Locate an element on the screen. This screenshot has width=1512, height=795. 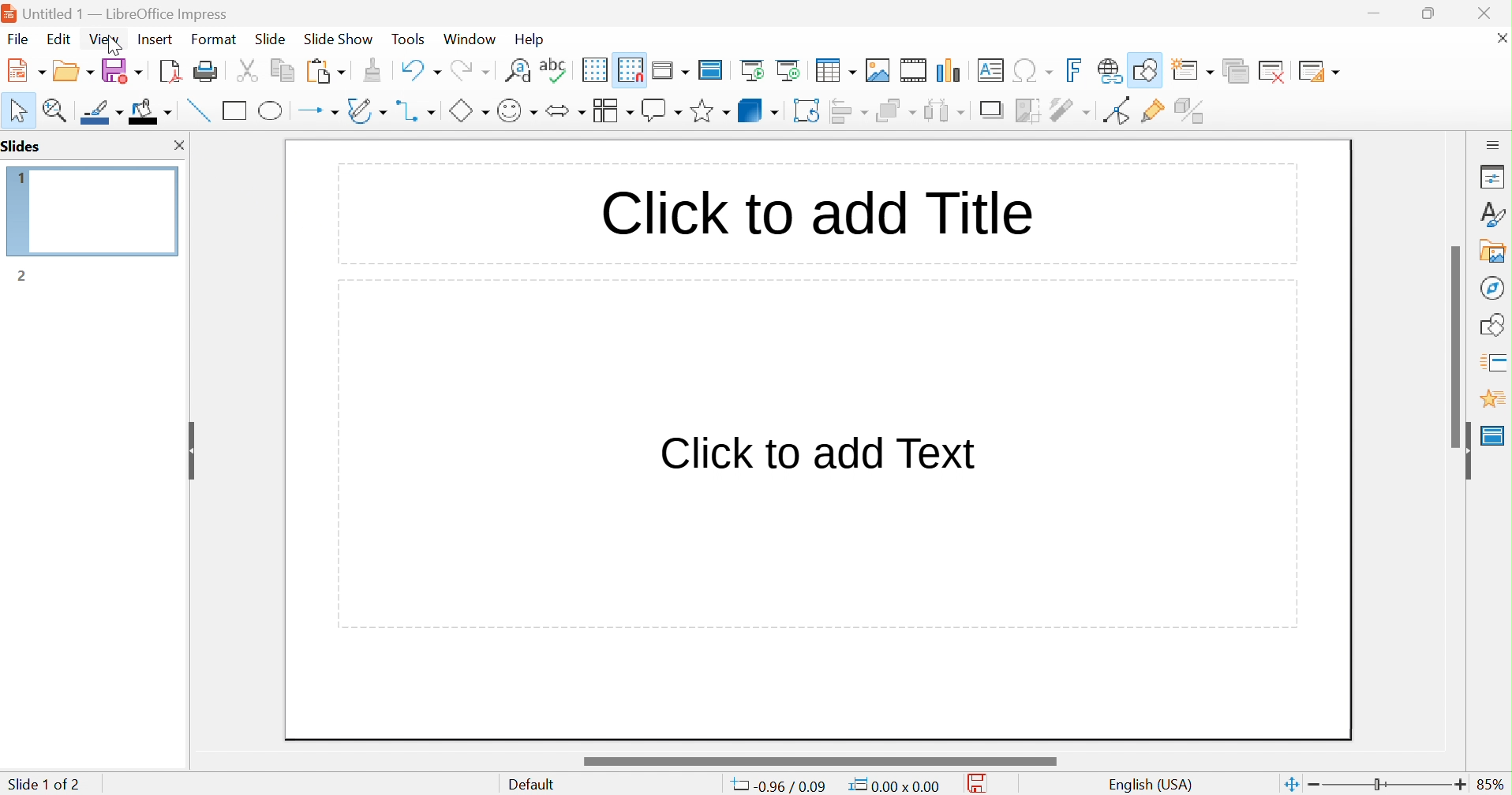
align objects is located at coordinates (851, 110).